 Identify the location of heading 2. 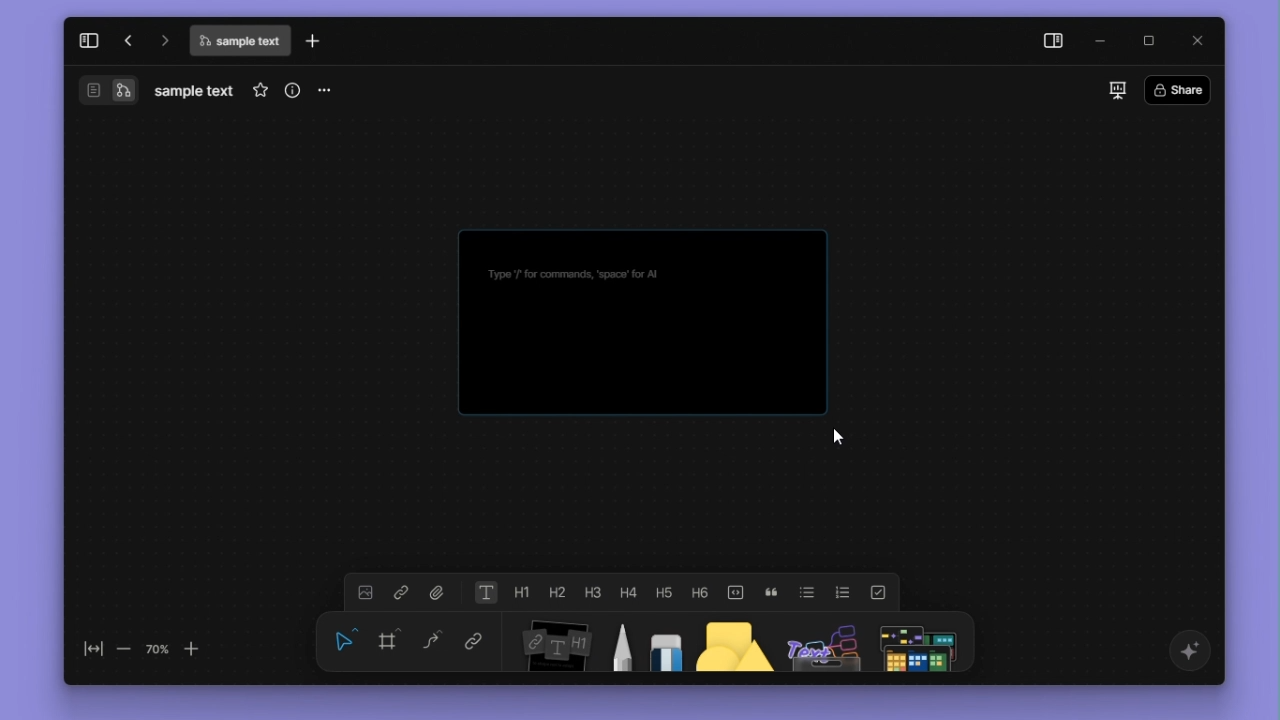
(555, 592).